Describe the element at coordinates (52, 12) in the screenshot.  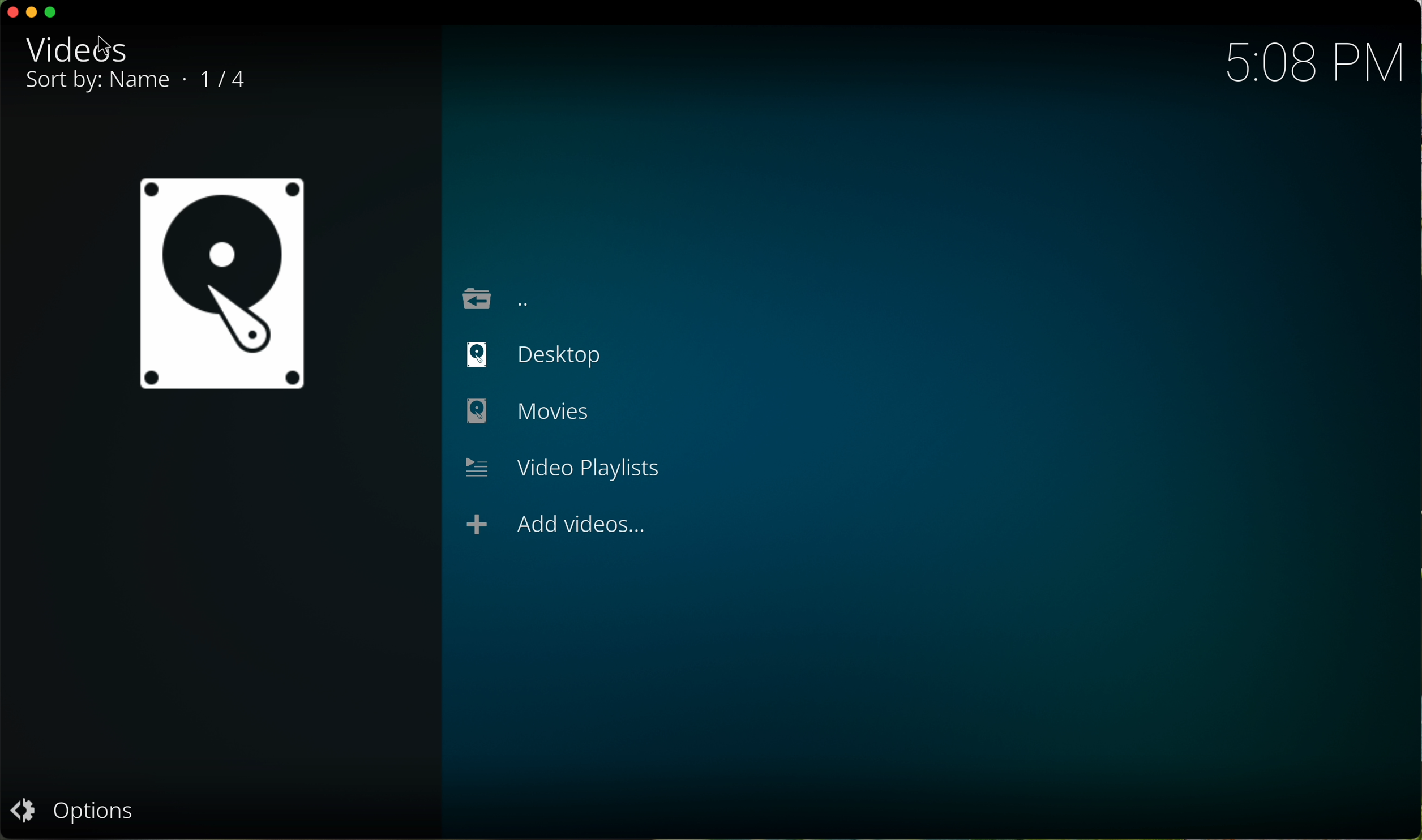
I see `maximize` at that location.